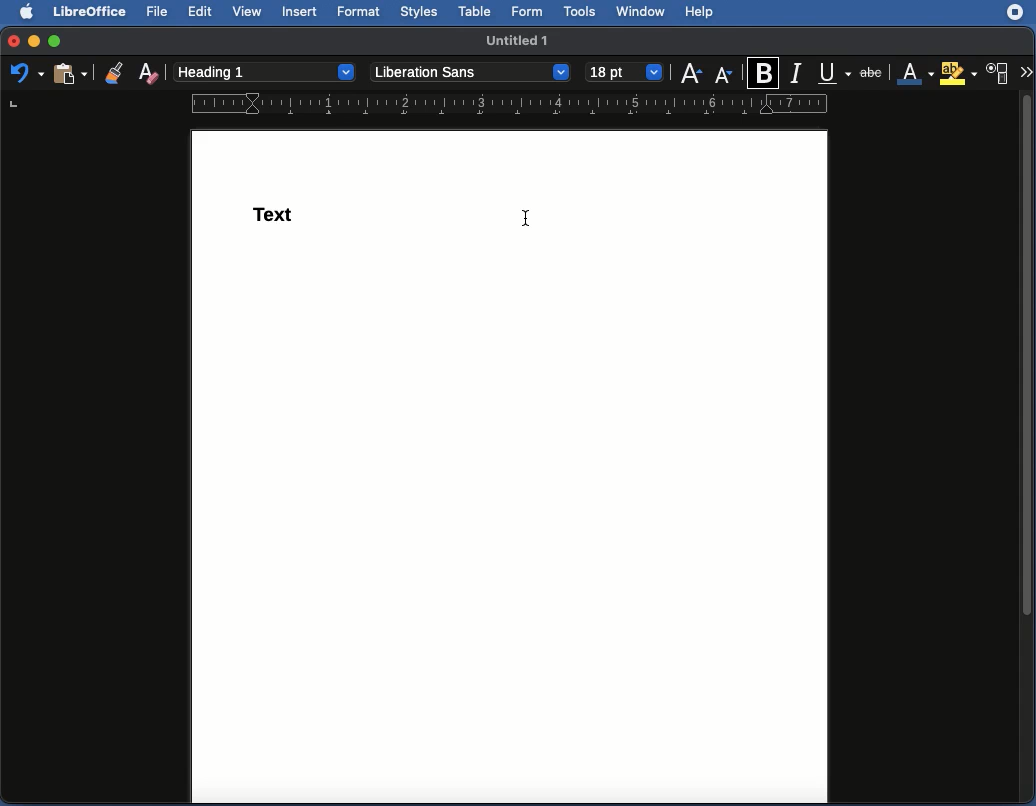 This screenshot has height=806, width=1036. I want to click on Font color, so click(915, 74).